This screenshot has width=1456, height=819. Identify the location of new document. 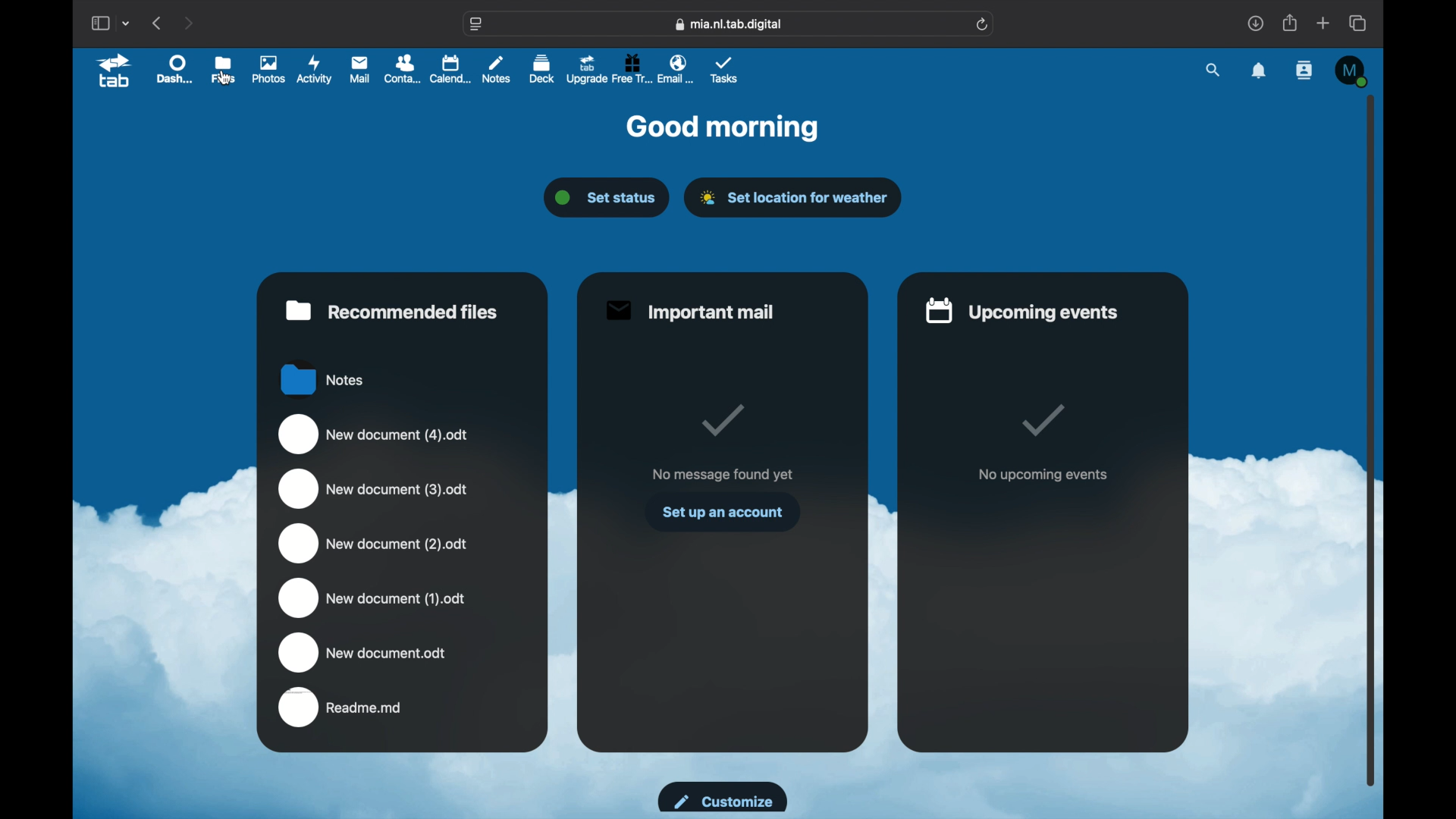
(373, 544).